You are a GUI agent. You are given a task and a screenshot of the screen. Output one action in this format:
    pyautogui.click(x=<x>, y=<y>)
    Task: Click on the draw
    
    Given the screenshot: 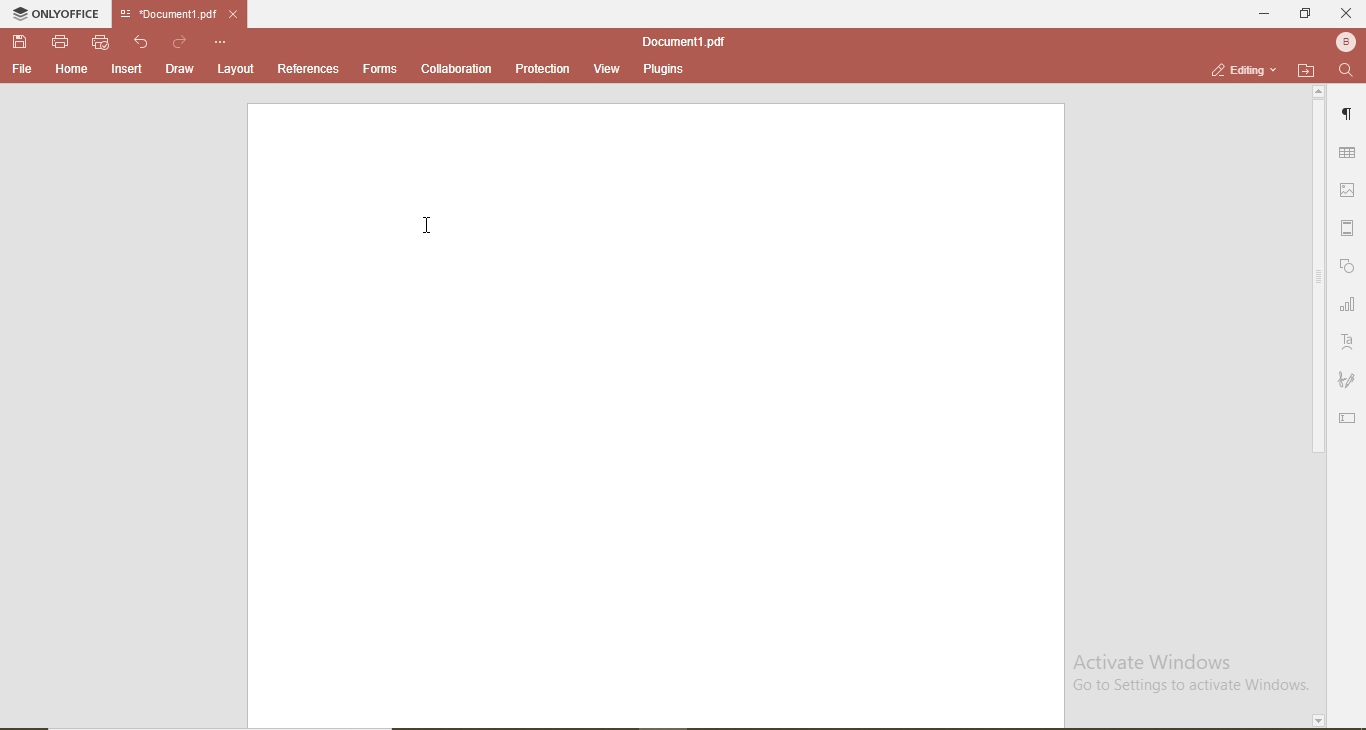 What is the action you would take?
    pyautogui.click(x=179, y=69)
    